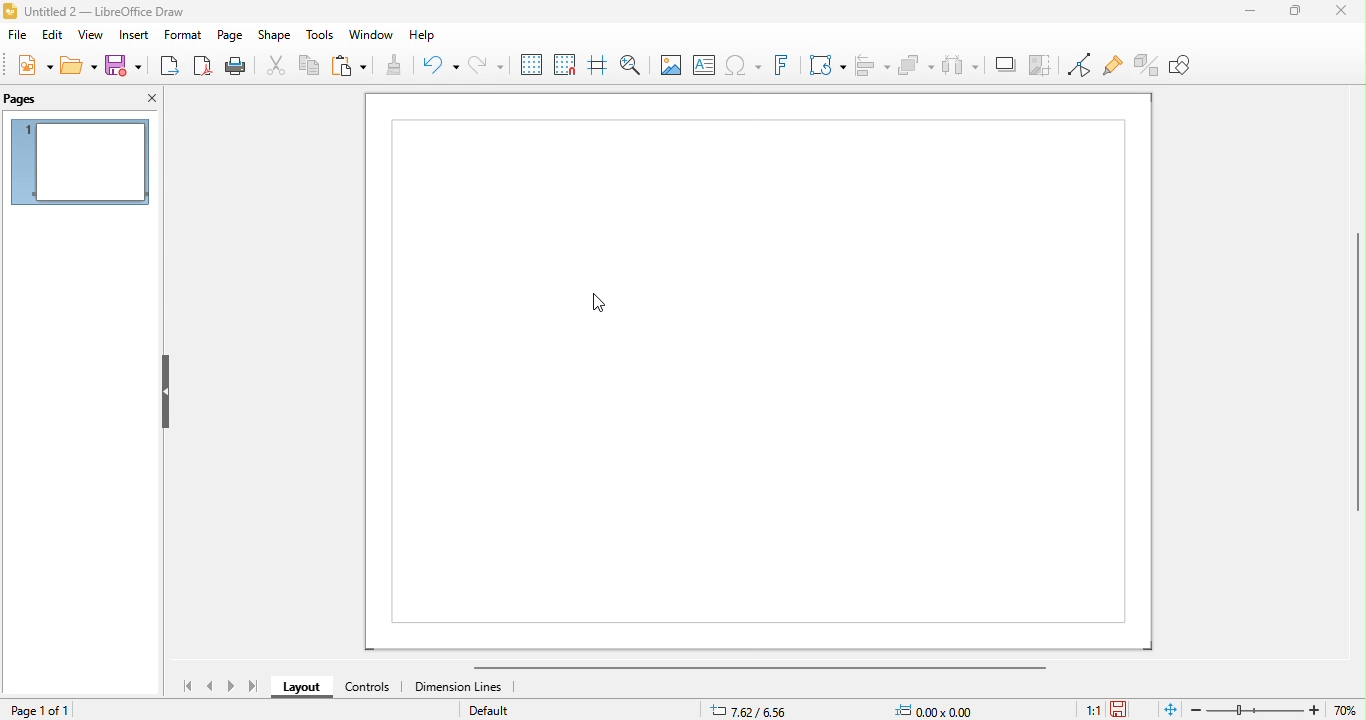 The image size is (1366, 720). I want to click on fontwork test, so click(780, 66).